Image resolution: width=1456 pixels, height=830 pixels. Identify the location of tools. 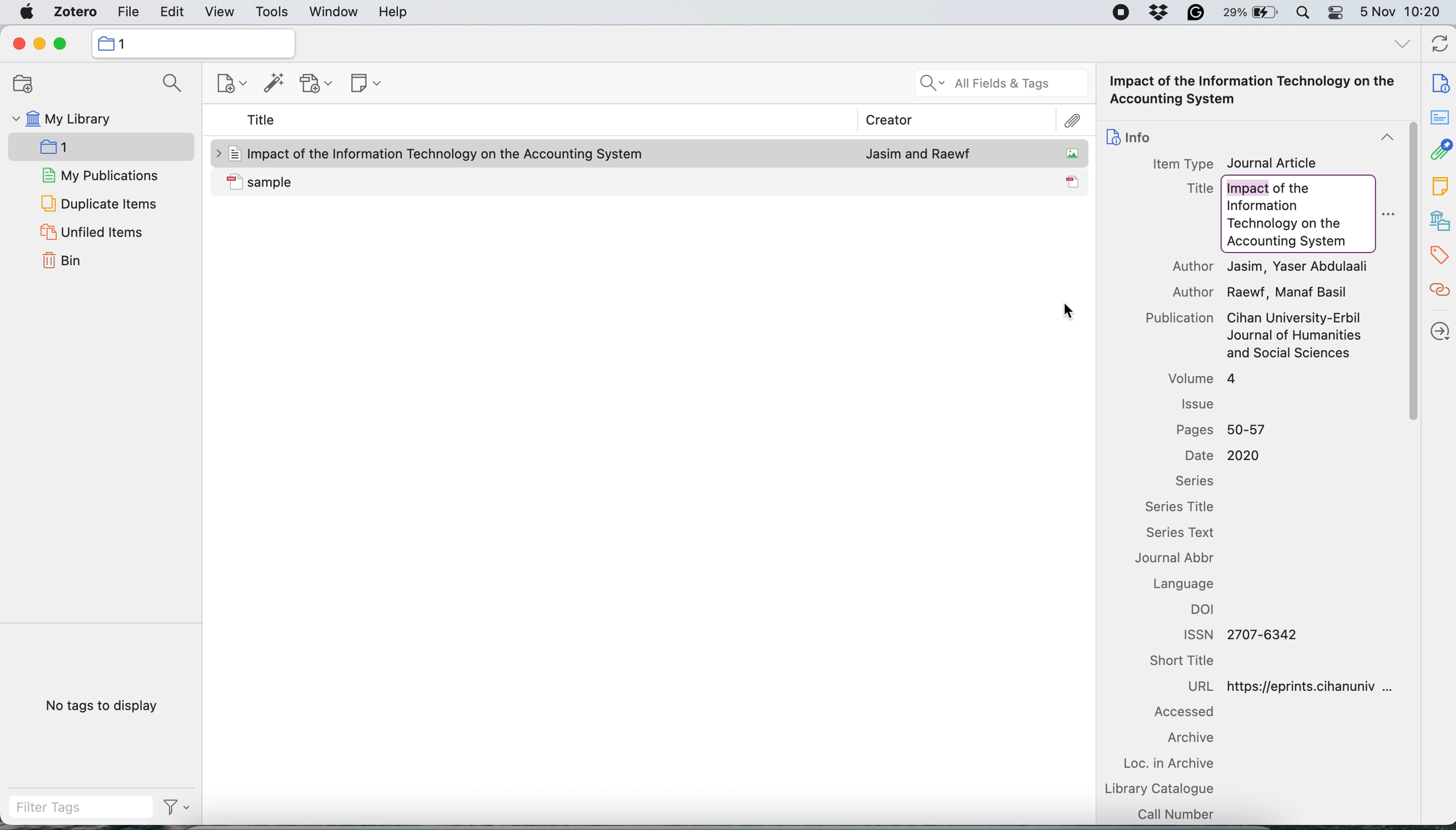
(274, 12).